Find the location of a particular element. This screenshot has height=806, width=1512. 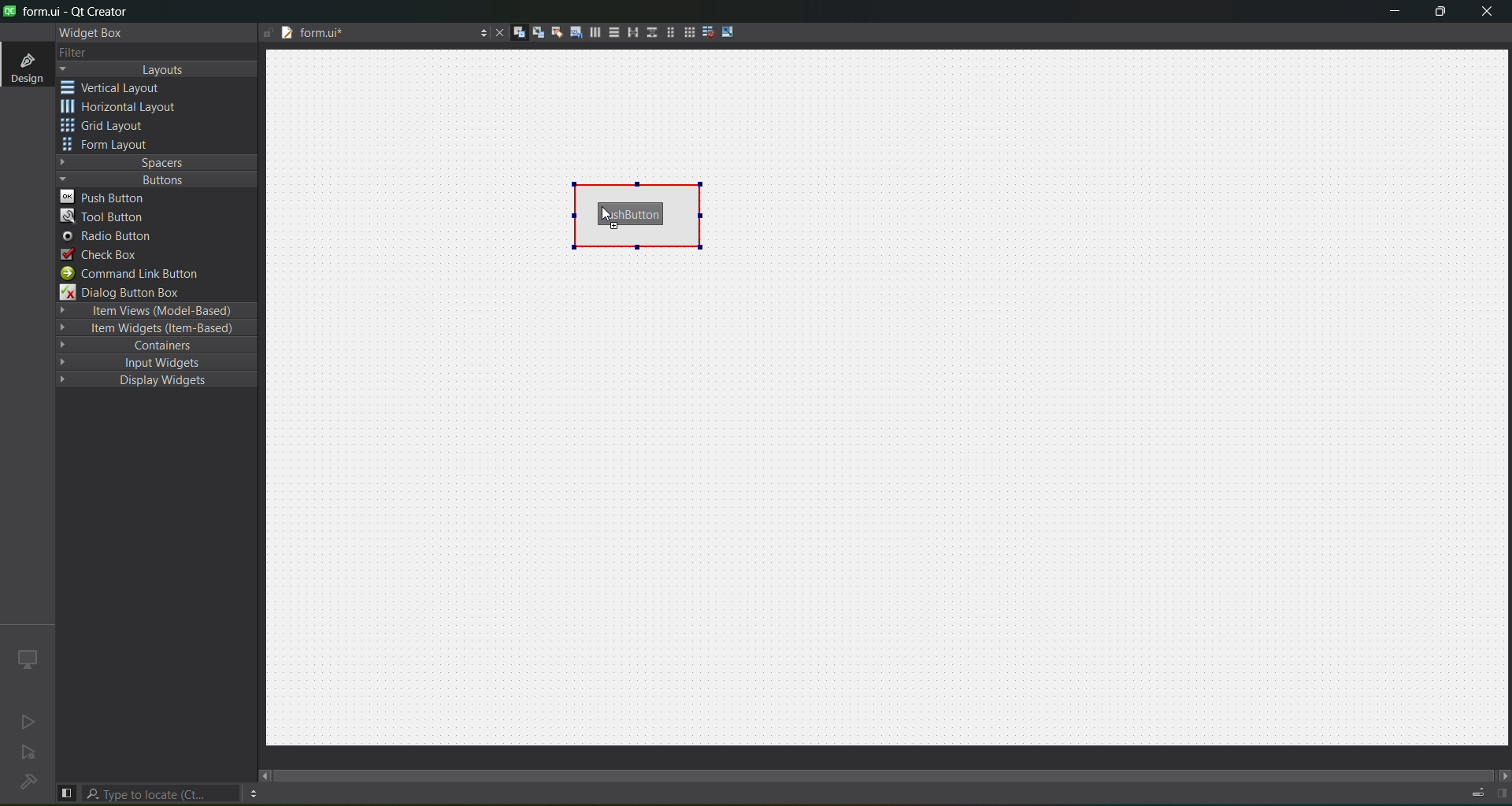

horizontal layoutt is located at coordinates (595, 35).